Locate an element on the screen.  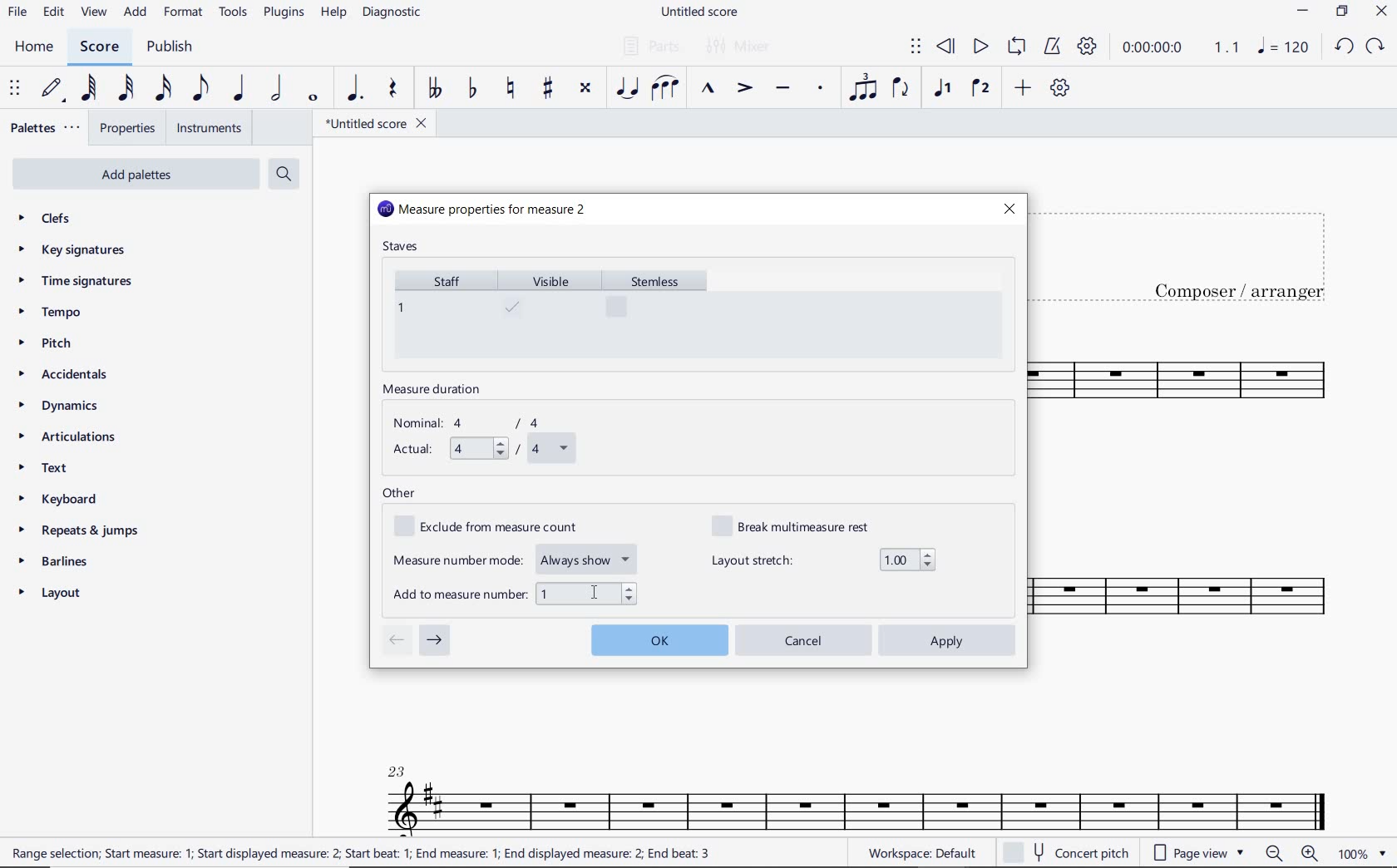
CLOSE is located at coordinates (1381, 13).